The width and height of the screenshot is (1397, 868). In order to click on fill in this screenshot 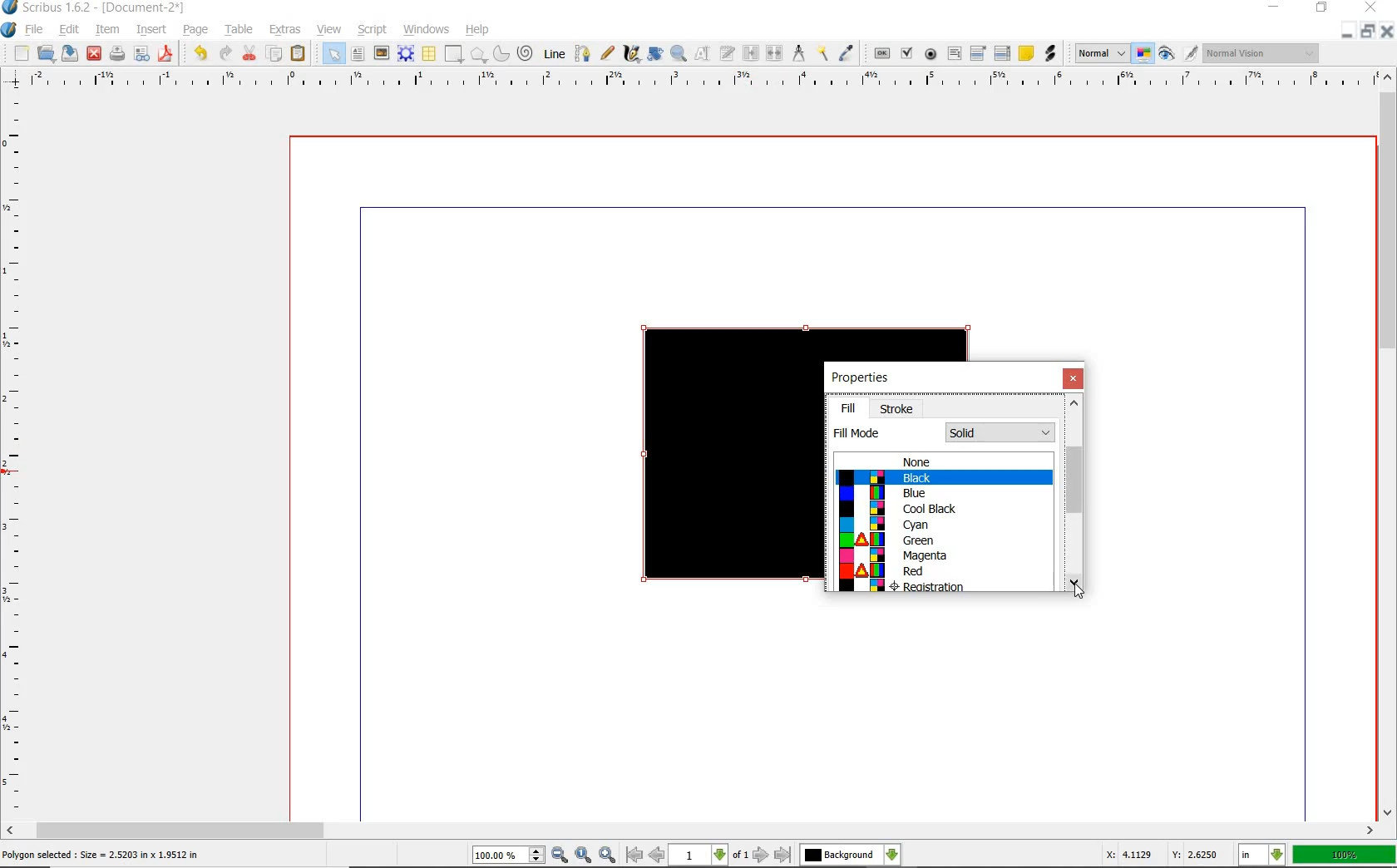, I will do `click(847, 409)`.